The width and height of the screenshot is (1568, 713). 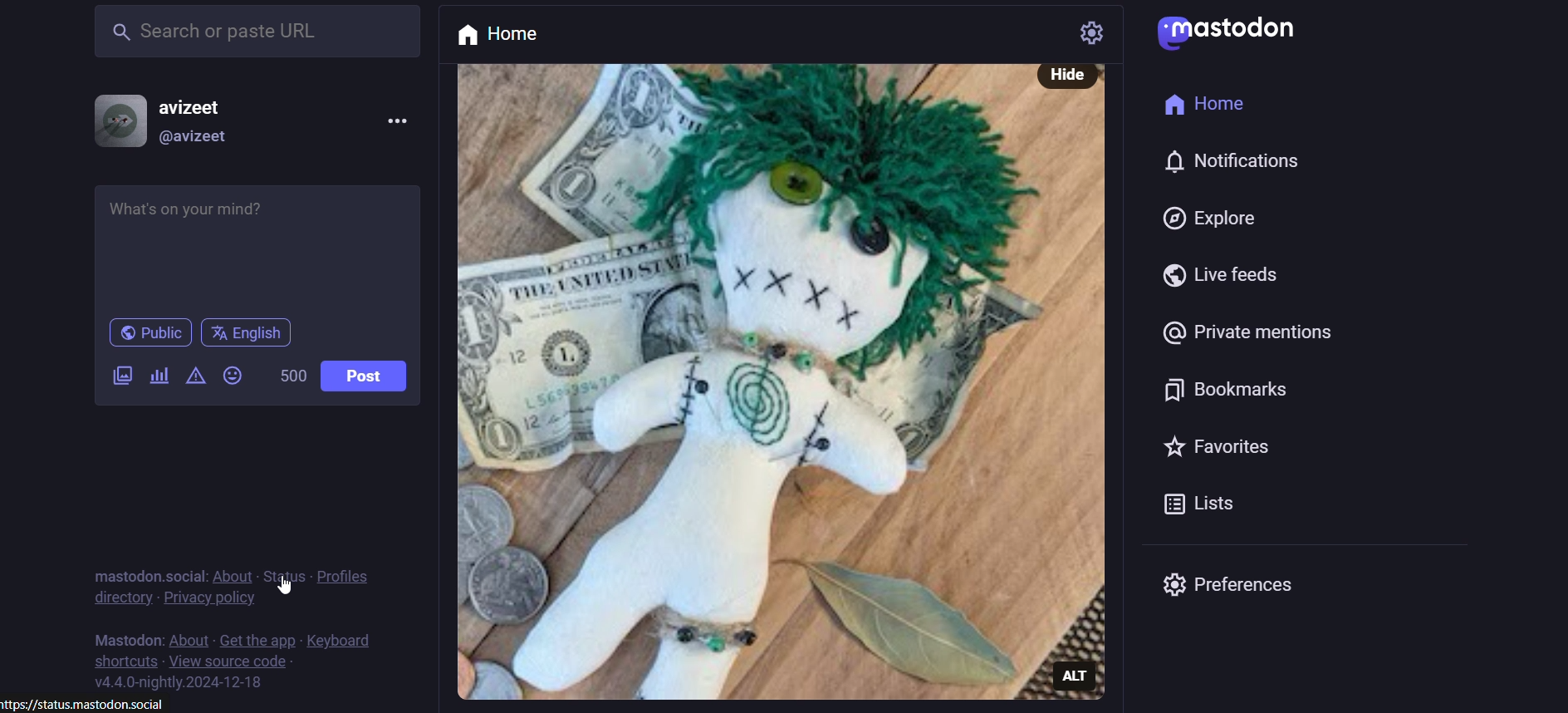 I want to click on status, so click(x=281, y=570).